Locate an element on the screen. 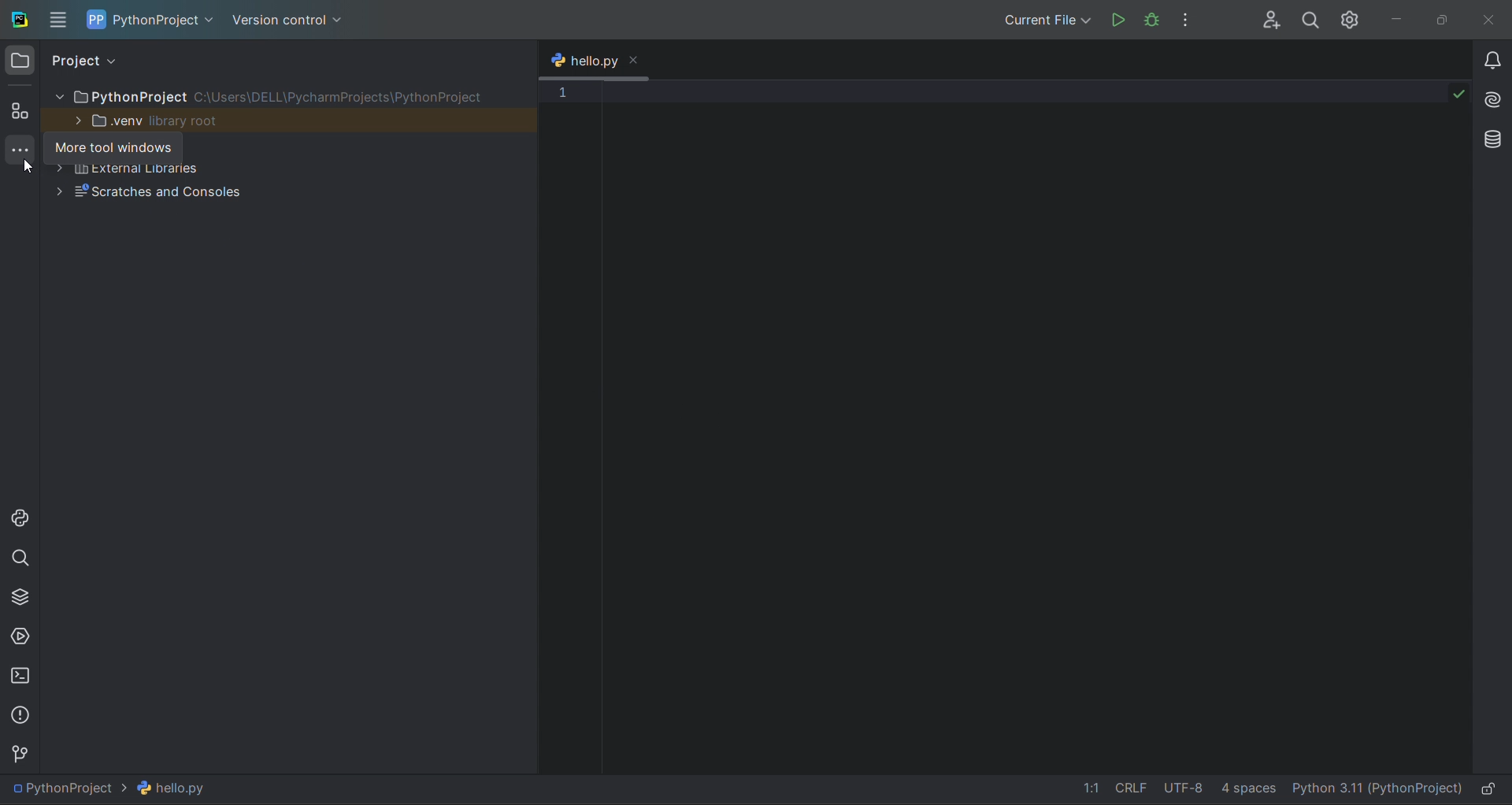 The height and width of the screenshot is (805, 1512). 1 is located at coordinates (562, 93).